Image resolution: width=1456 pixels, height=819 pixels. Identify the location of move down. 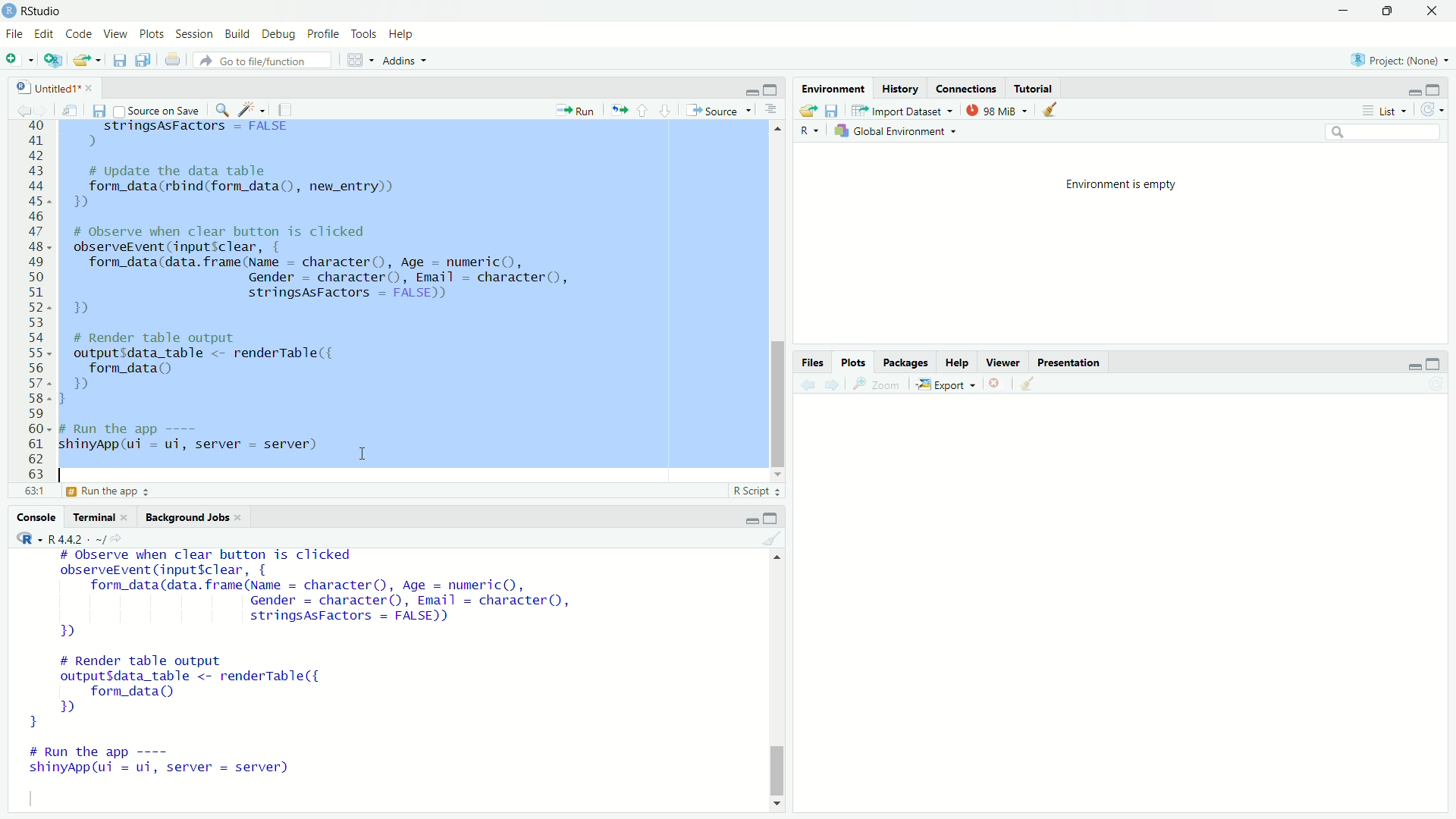
(776, 804).